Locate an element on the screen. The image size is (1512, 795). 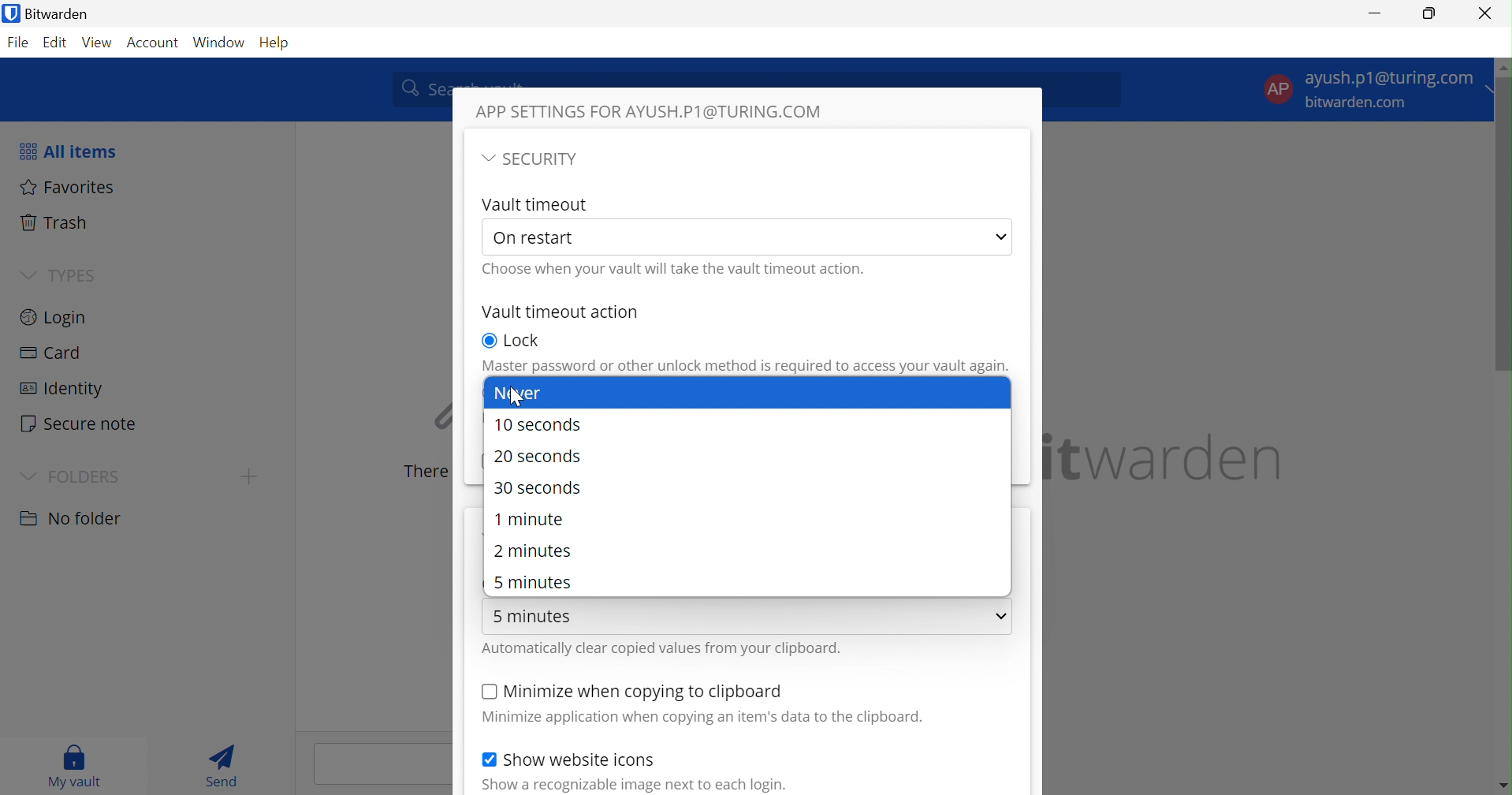
10 seconds is located at coordinates (538, 425).